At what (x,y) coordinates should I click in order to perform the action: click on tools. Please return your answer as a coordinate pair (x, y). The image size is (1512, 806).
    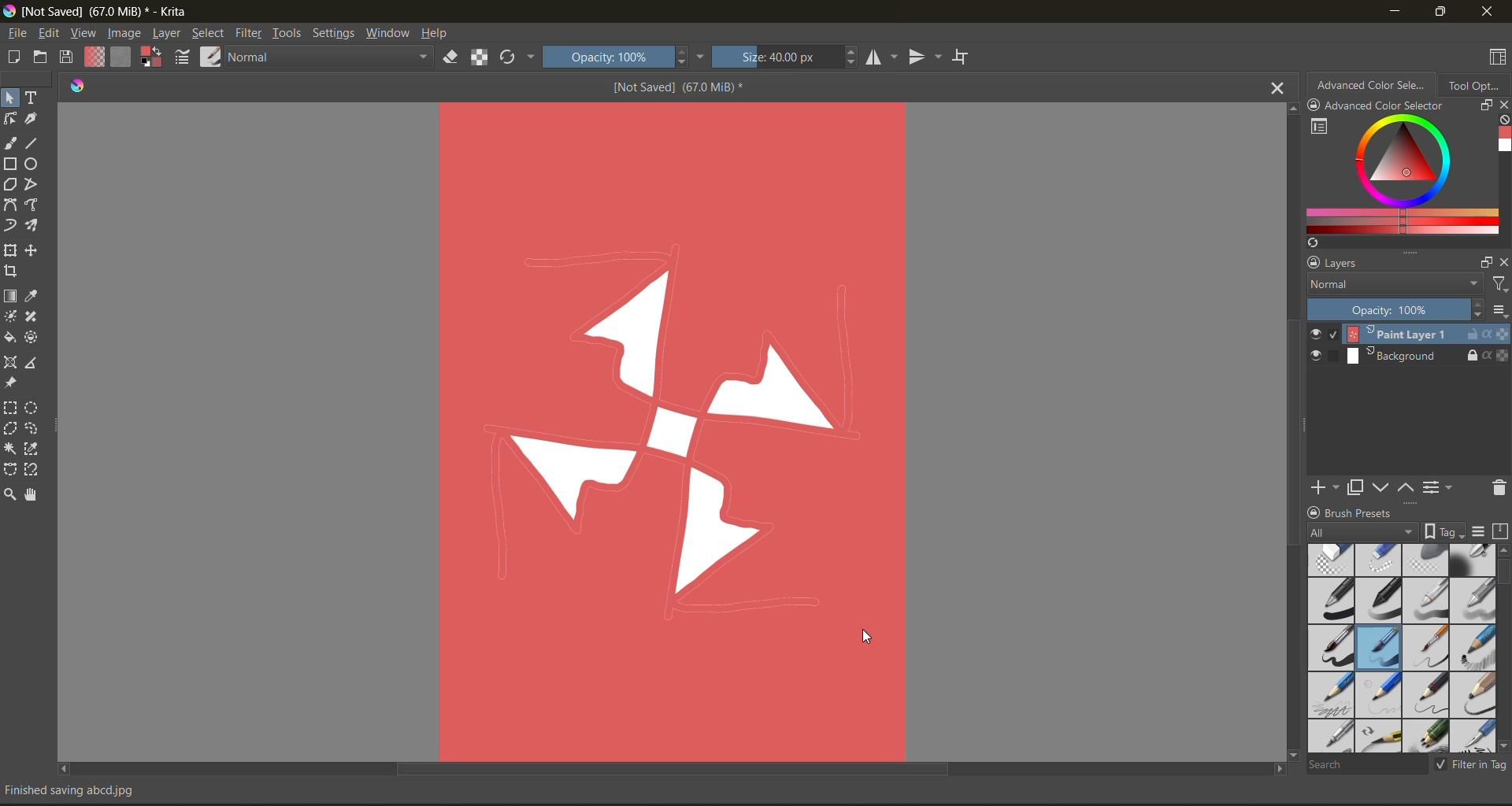
    Looking at the image, I should click on (11, 469).